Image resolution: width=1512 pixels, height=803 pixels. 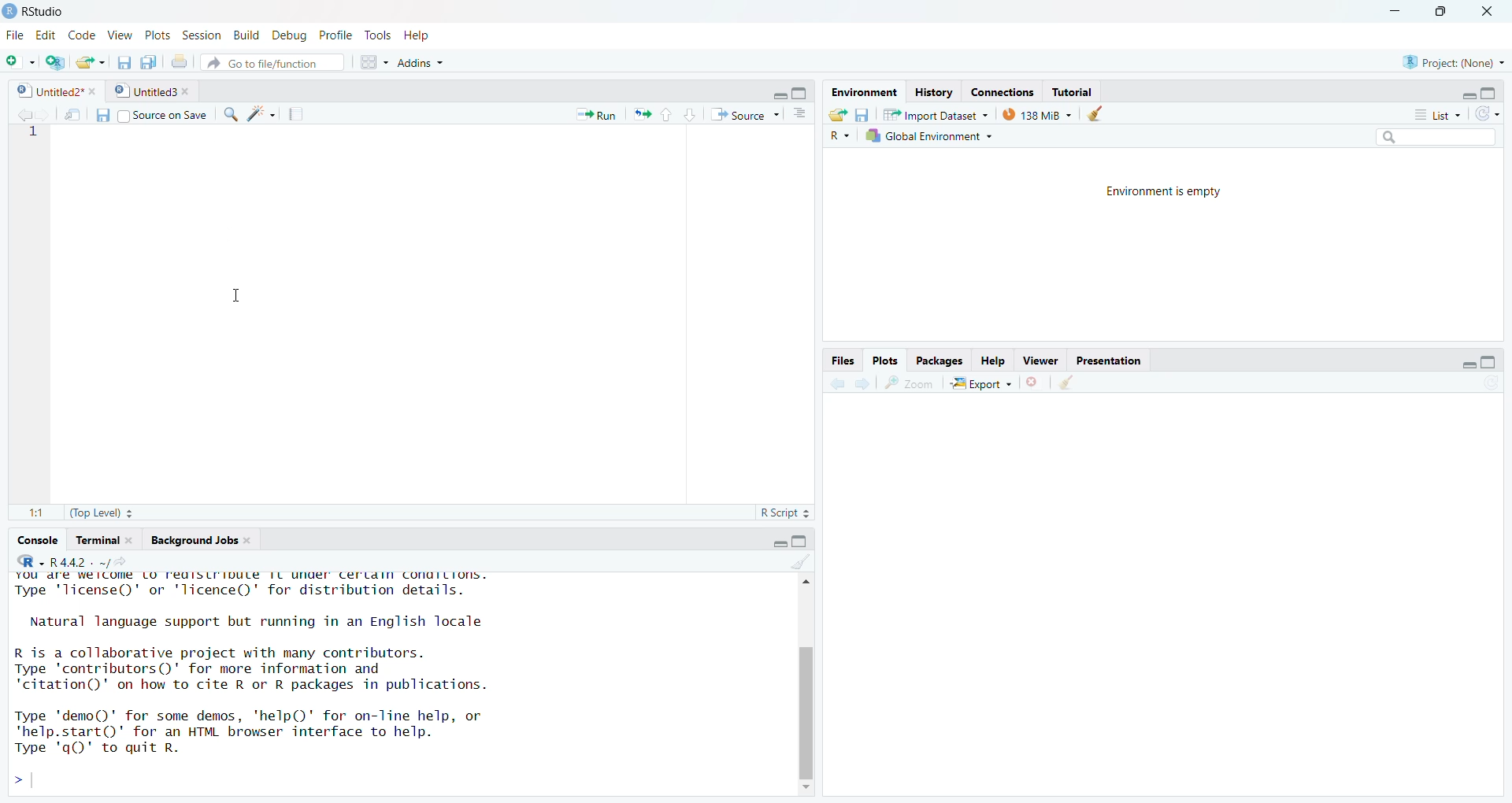 I want to click on YOU dre We ICOM LO FediSLIIDULE TL UNUer Certdin conuiLions.

Type 'license()' or 'licence()' for distribution details.
Natural language support but running in an English locale

R is a collaborative project with many contributors.

Type 'contributors()' for more information and

"citation()' on how to cite R or R packages in publications.

Type 'demo()' for some demos, 'help()' for on-line help, or

'help.start()"' for an HTML browser interface to help.

Type 'qO)' to quit R.

>, so click(x=356, y=670).